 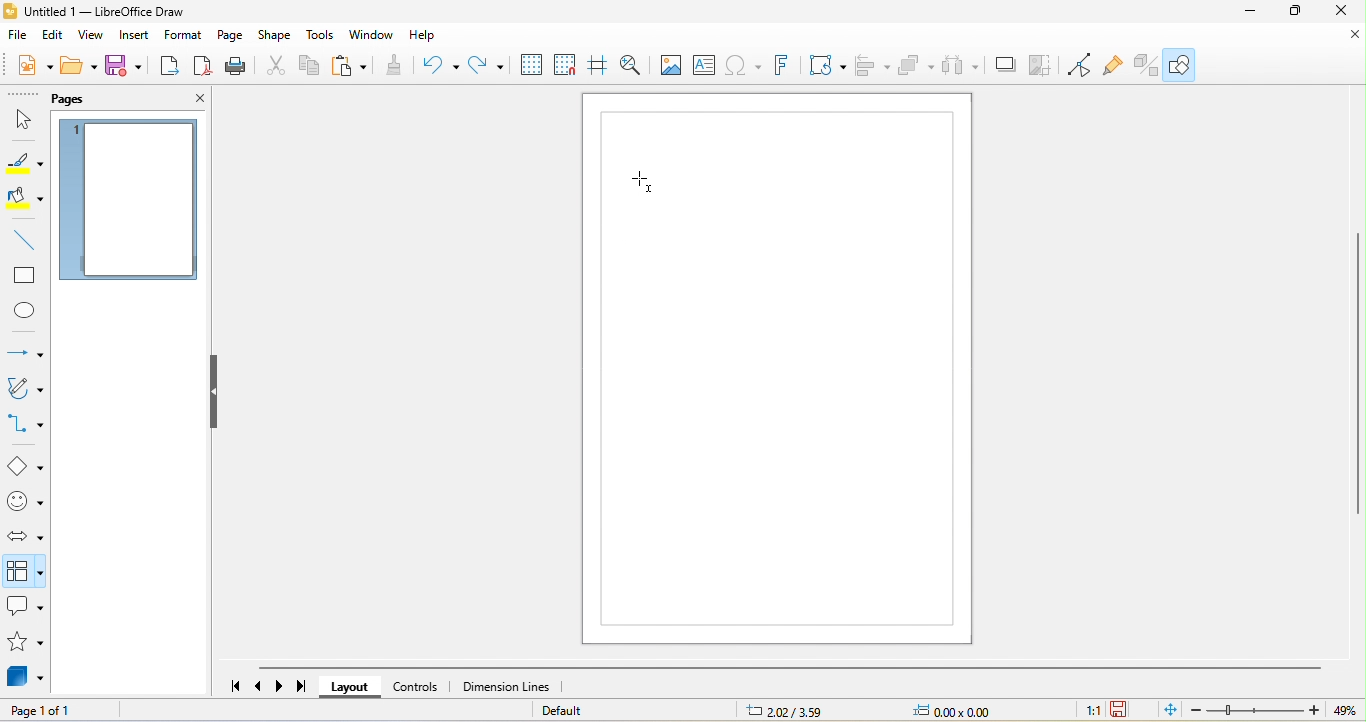 I want to click on file, so click(x=20, y=37).